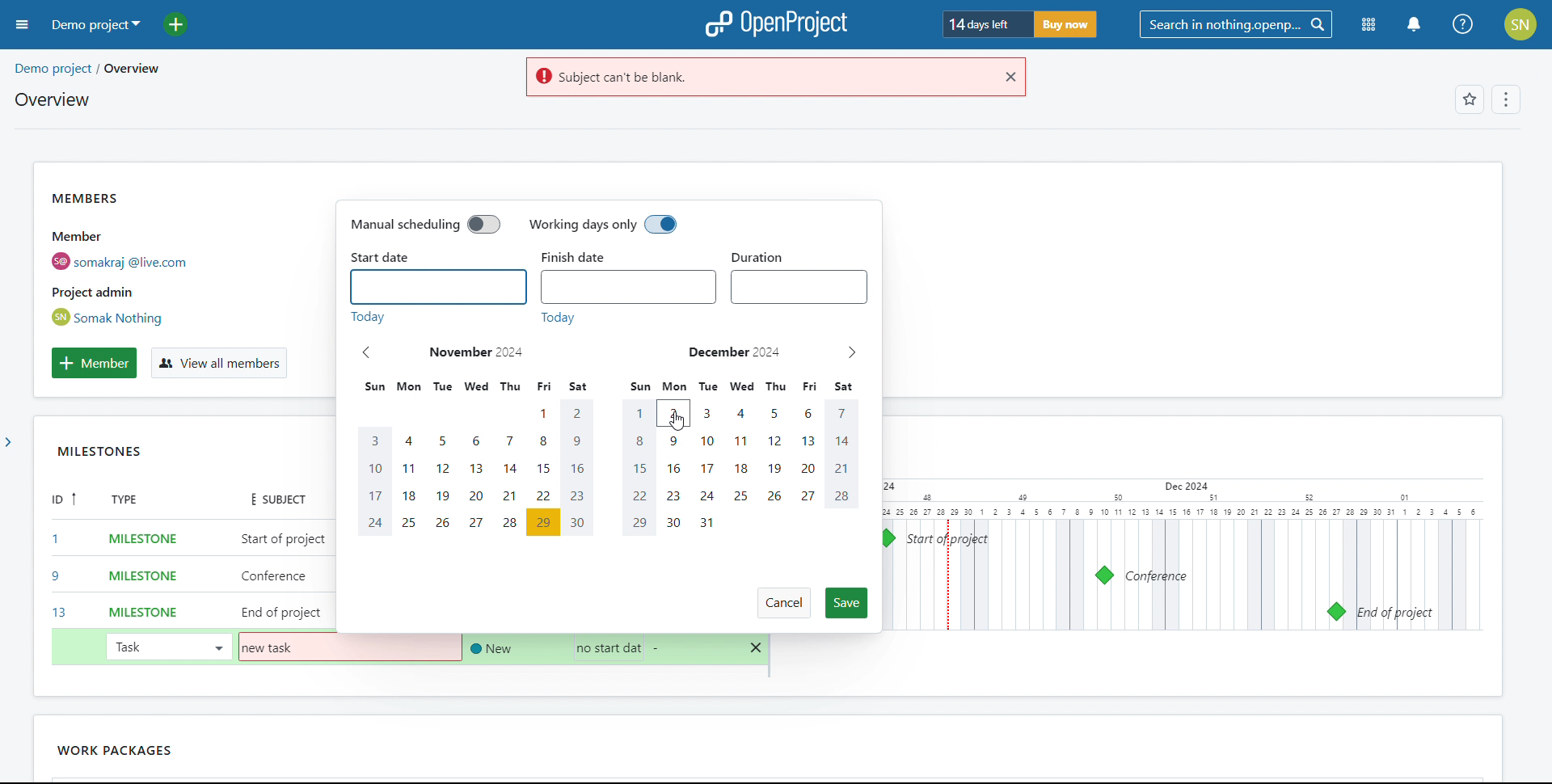 The image size is (1552, 784). Describe the element at coordinates (733, 352) in the screenshot. I see `december 2024` at that location.